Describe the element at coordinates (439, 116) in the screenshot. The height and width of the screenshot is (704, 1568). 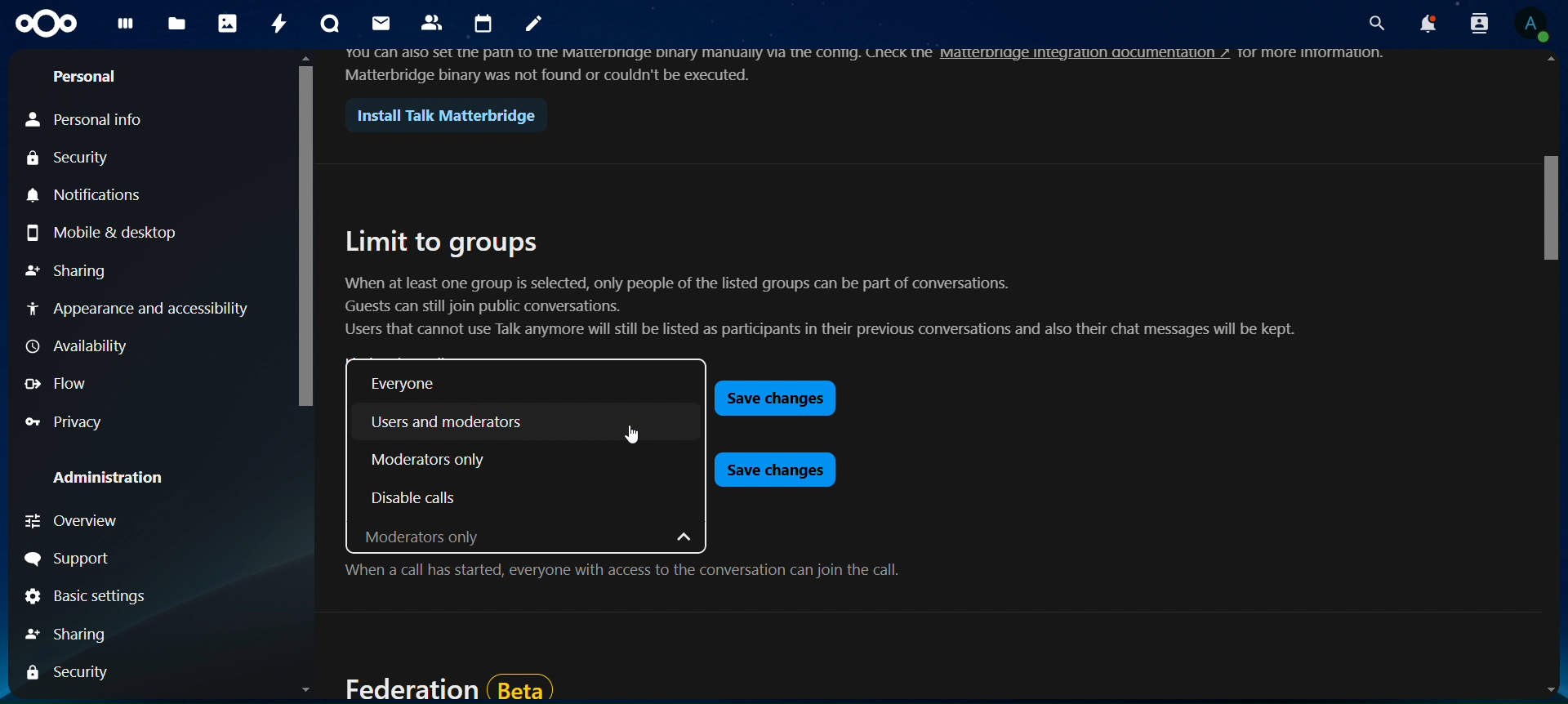
I see `install talk matterbridge` at that location.